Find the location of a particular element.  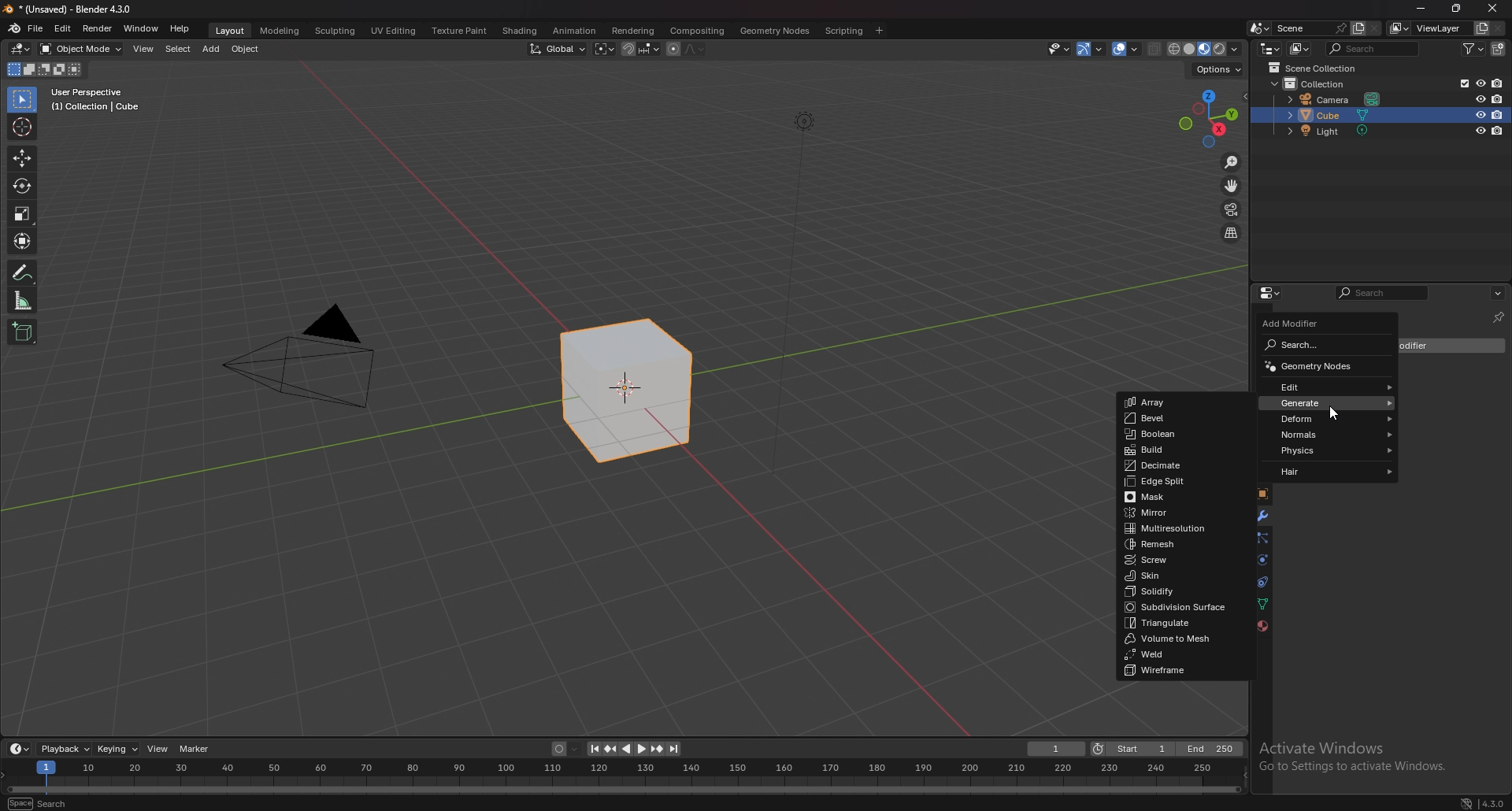

move is located at coordinates (24, 157).